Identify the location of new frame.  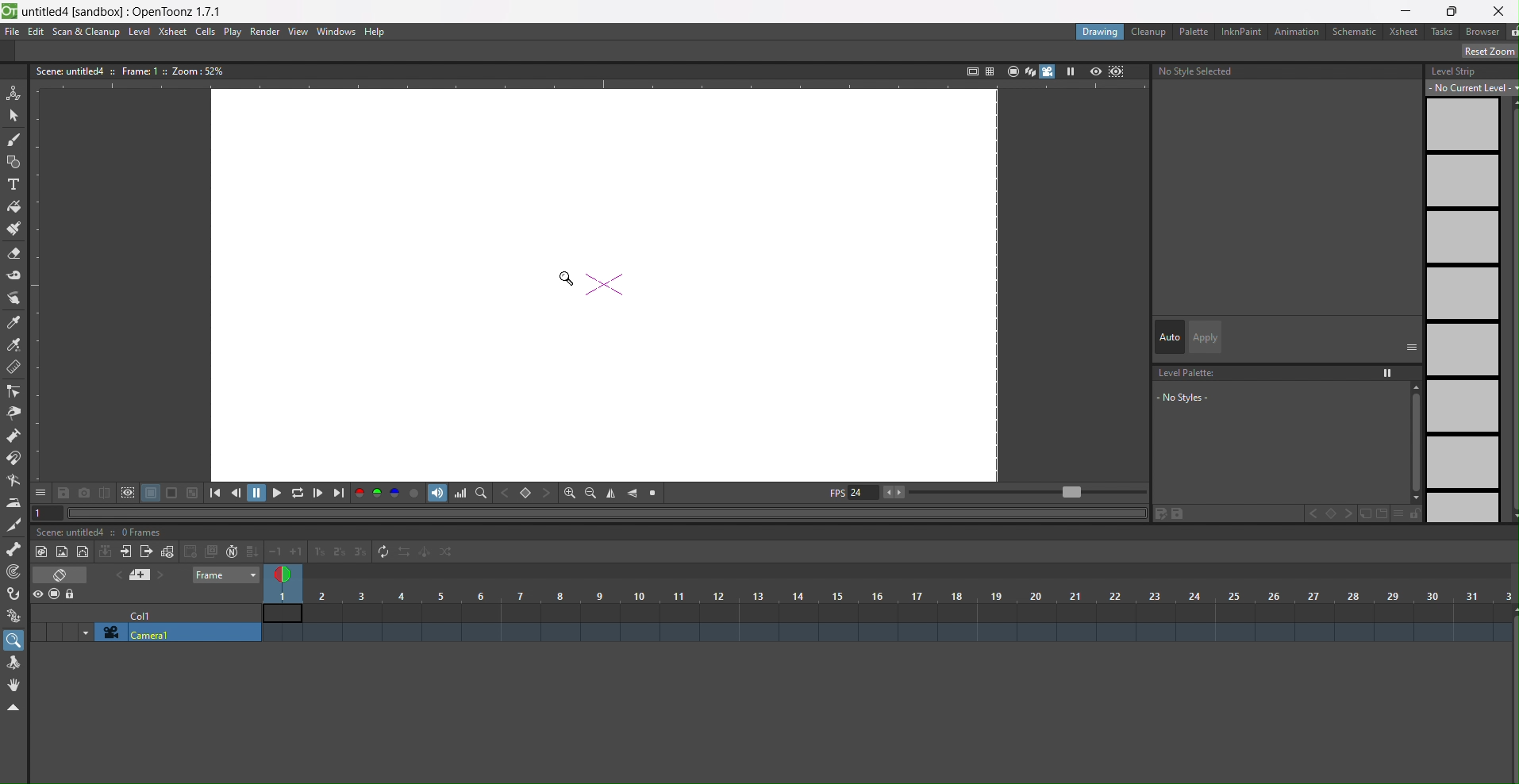
(168, 551).